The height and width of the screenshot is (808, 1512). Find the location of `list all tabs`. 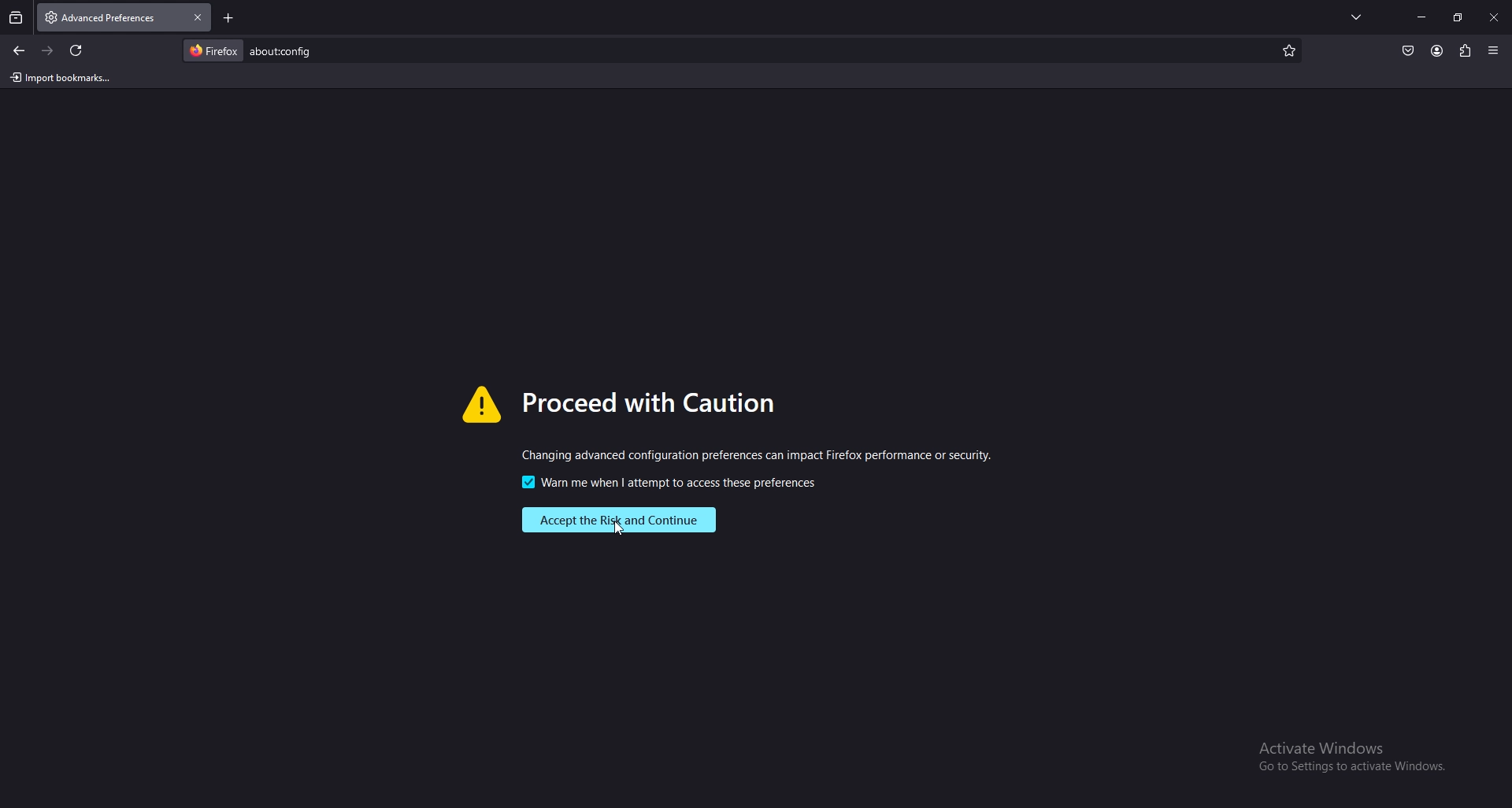

list all tabs is located at coordinates (1358, 16).